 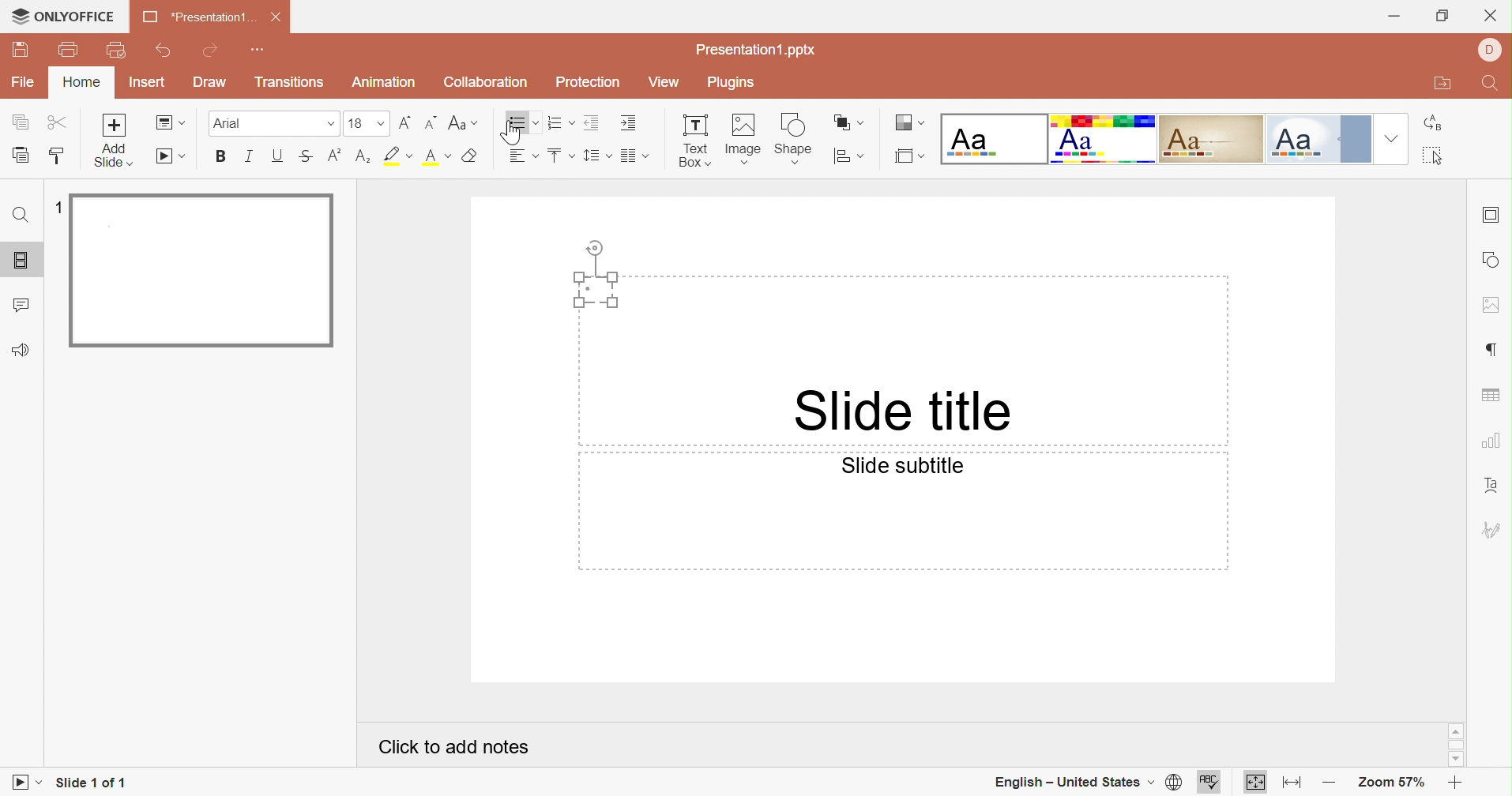 I want to click on File, so click(x=25, y=84).